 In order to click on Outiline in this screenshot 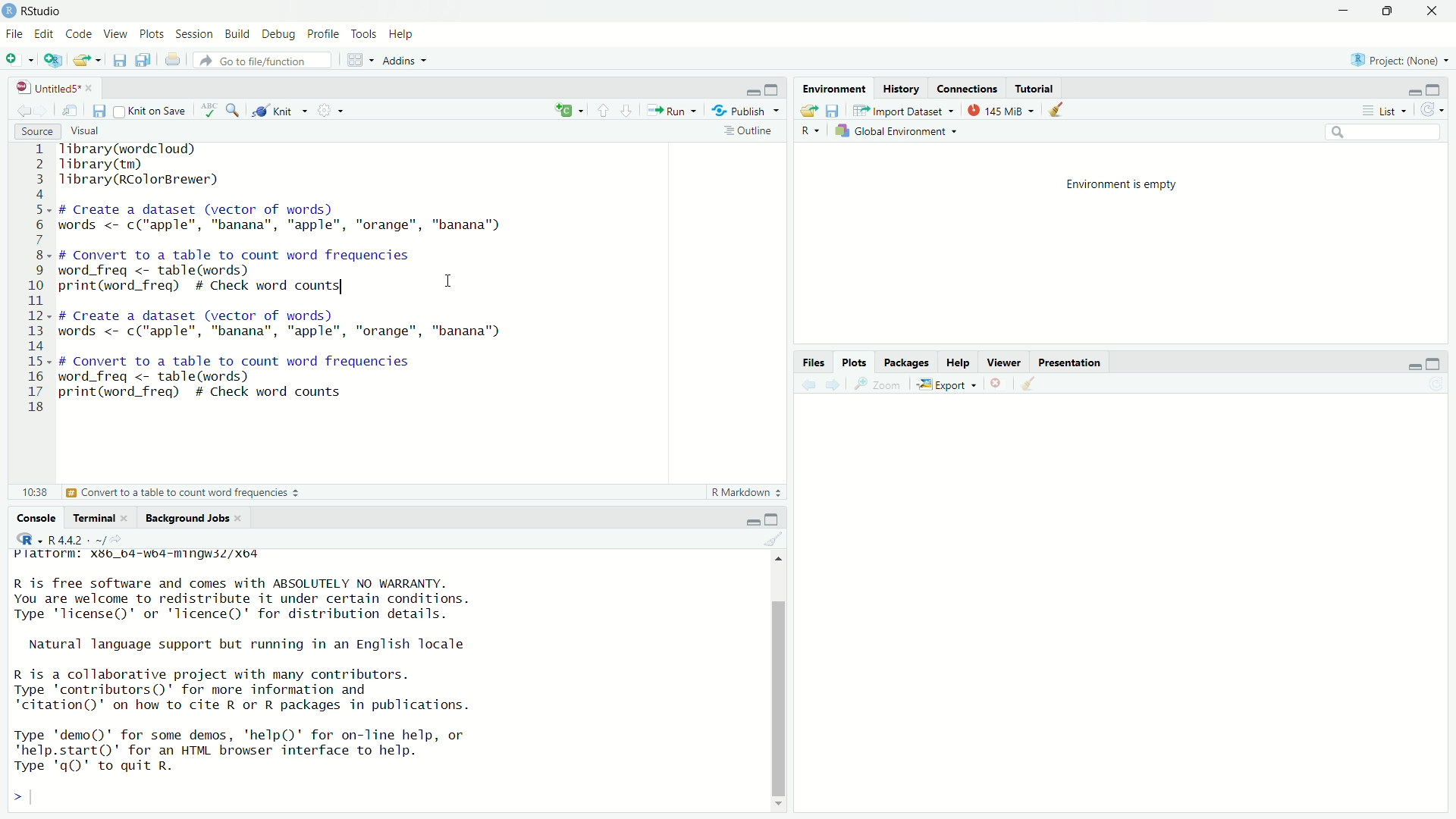, I will do `click(750, 130)`.